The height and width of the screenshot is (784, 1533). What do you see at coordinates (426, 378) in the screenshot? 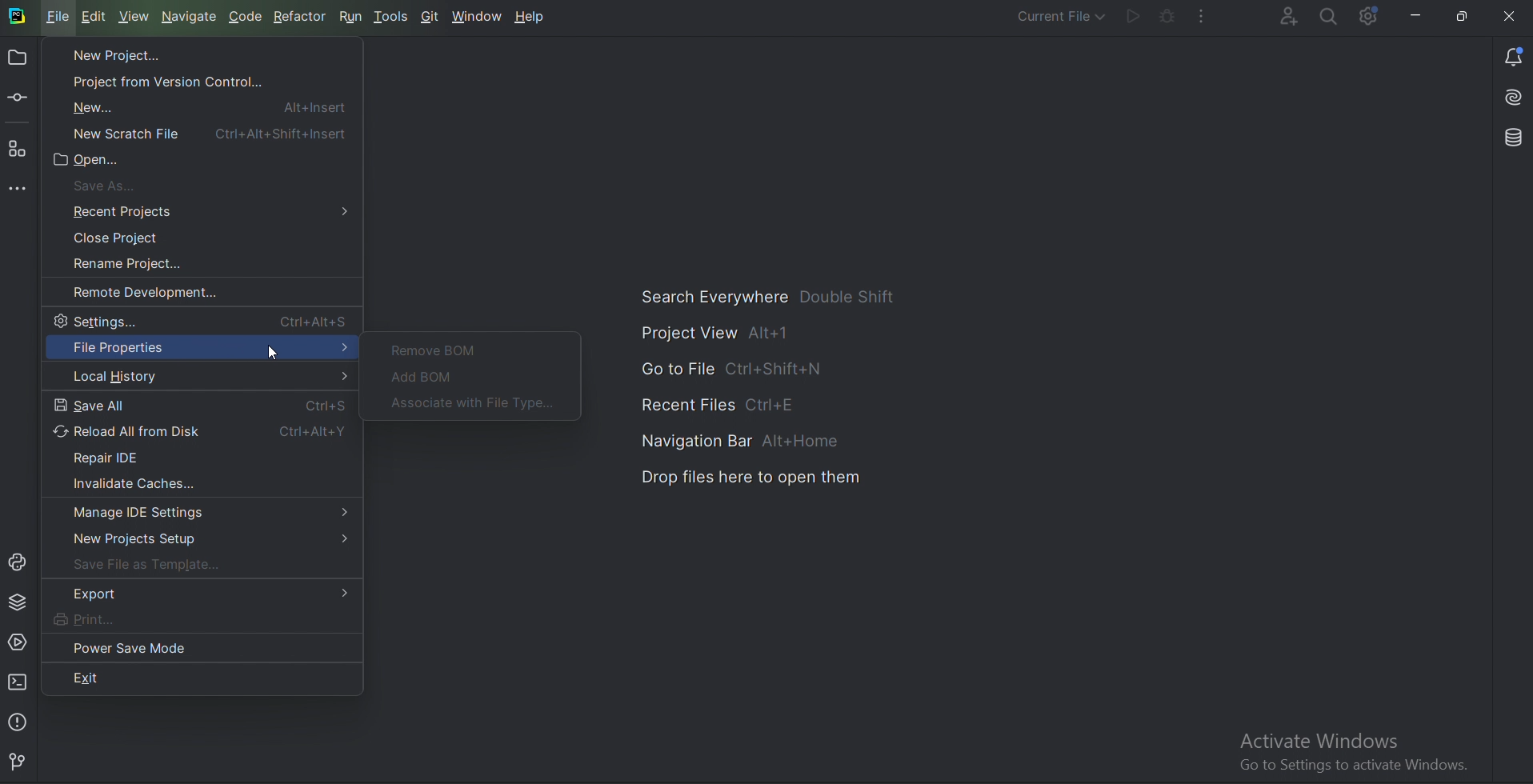
I see `Add BOM` at bounding box center [426, 378].